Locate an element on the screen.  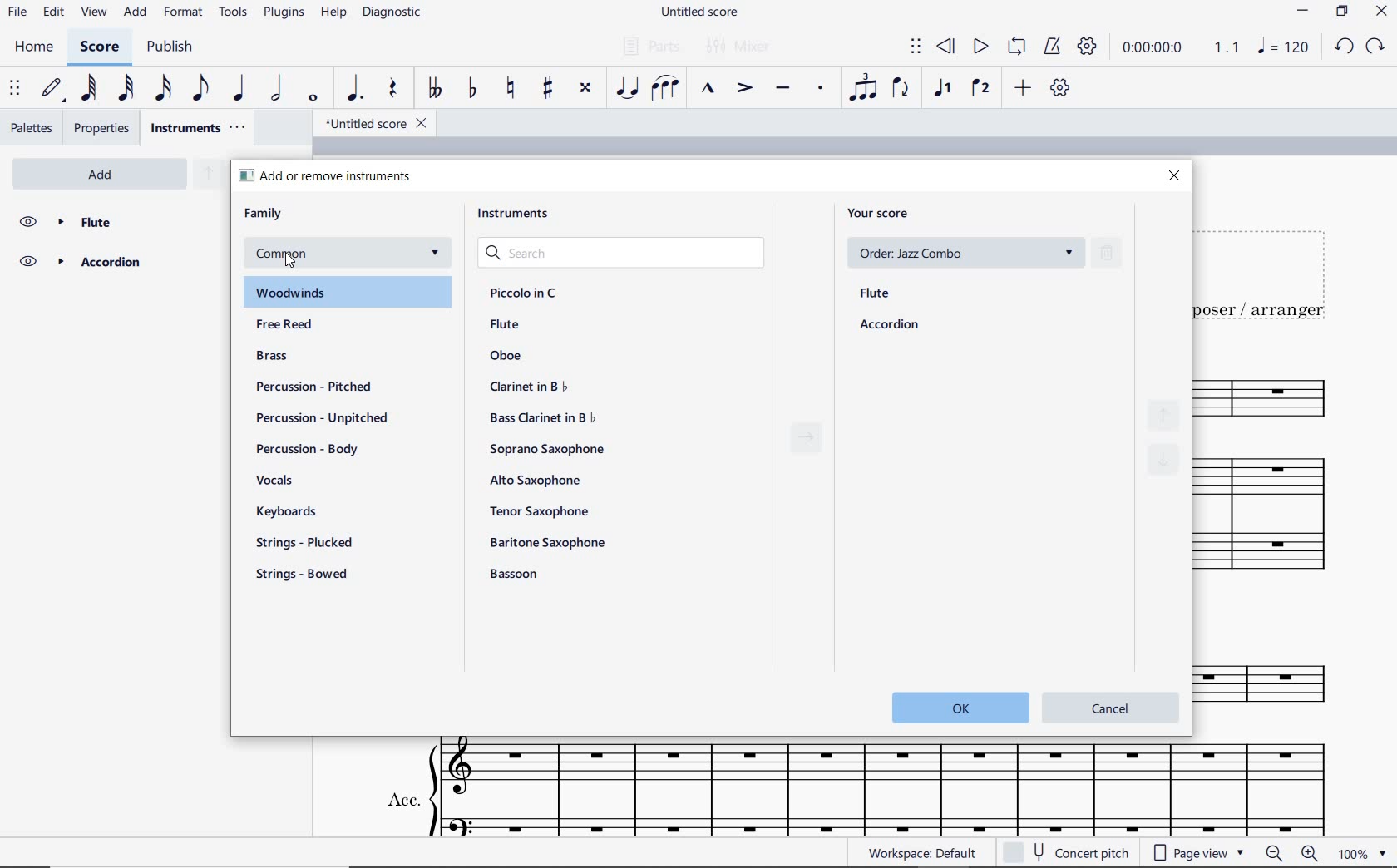
playback settings is located at coordinates (1086, 47).